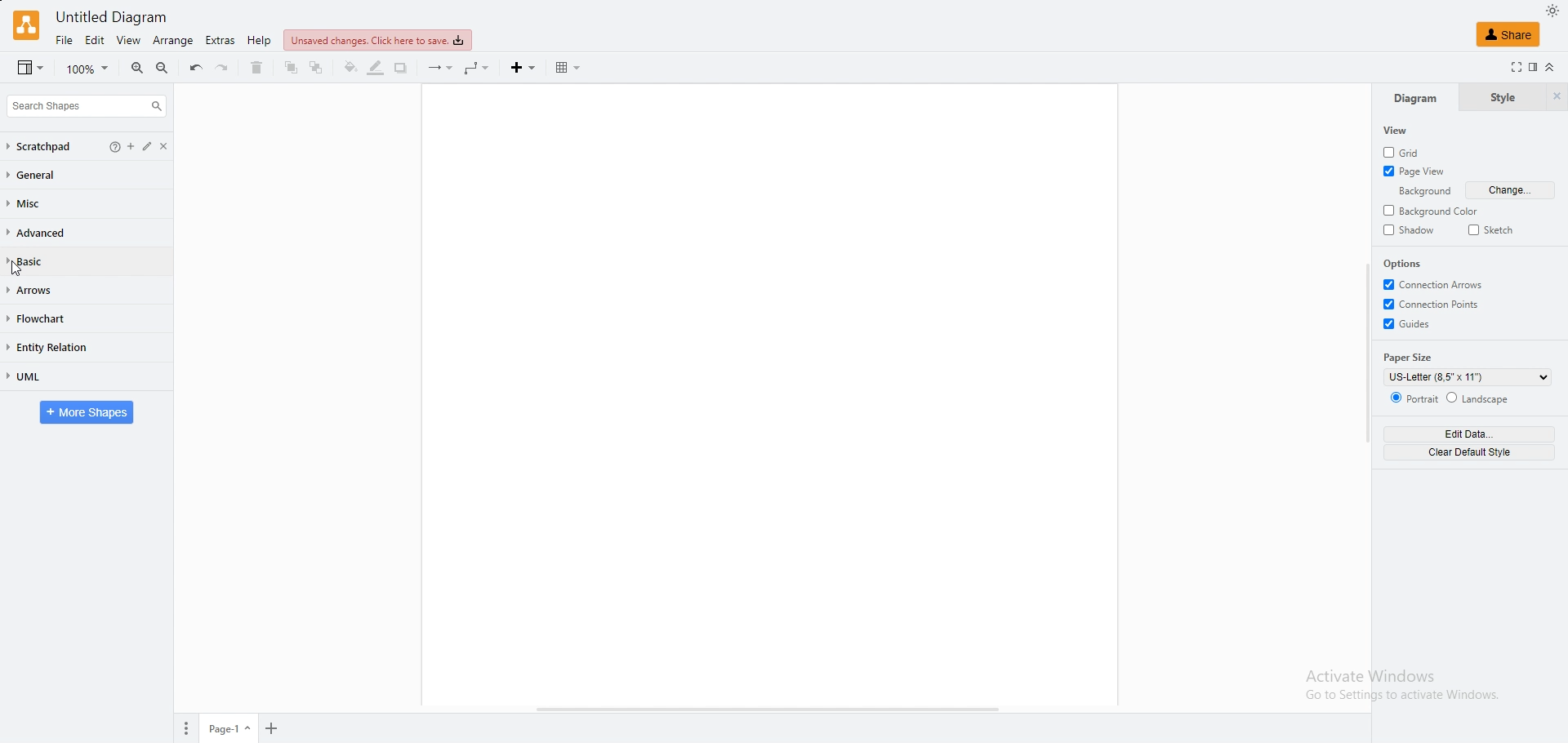 Image resolution: width=1568 pixels, height=743 pixels. Describe the element at coordinates (43, 290) in the screenshot. I see `arrows` at that location.